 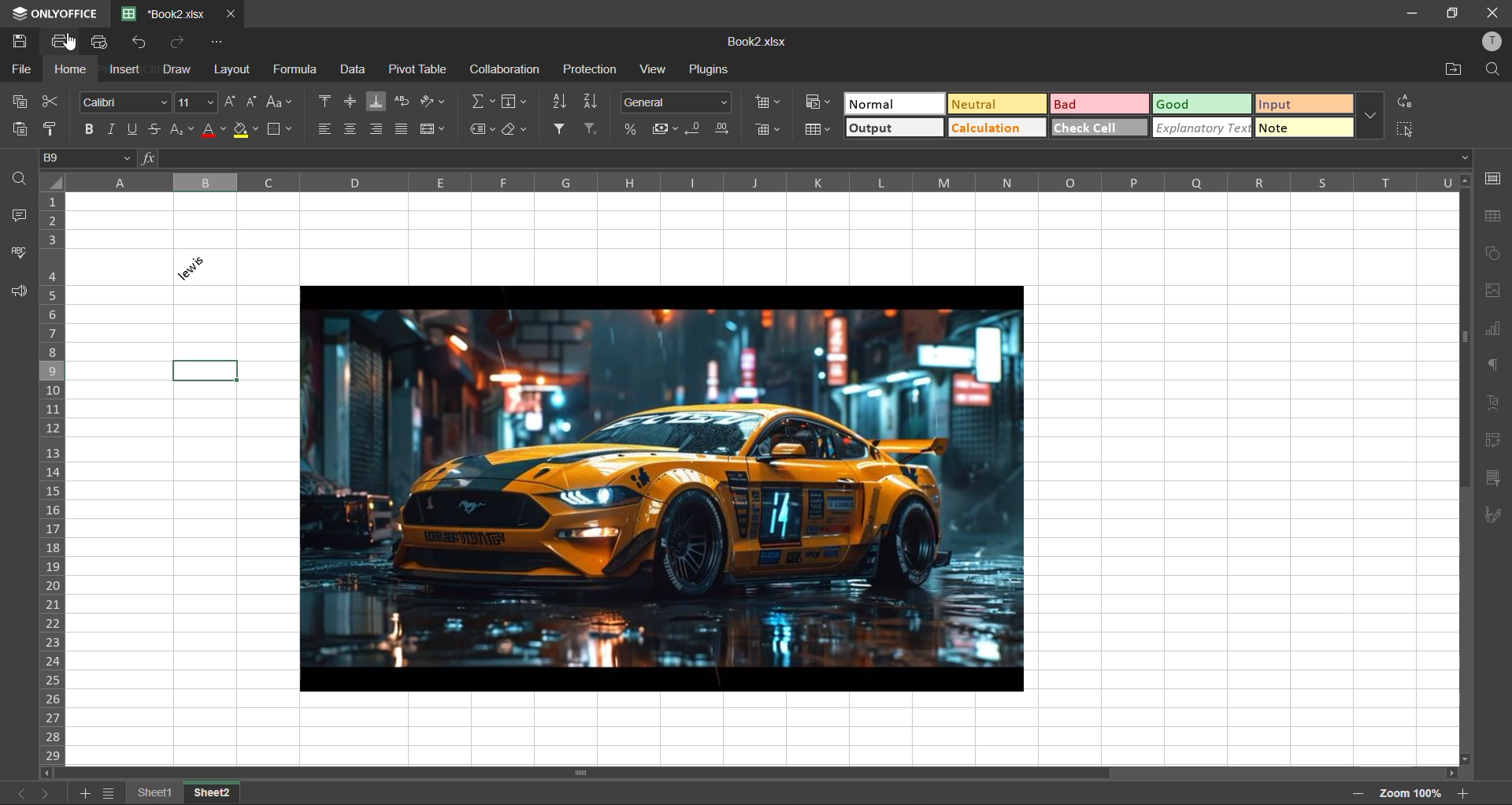 What do you see at coordinates (20, 104) in the screenshot?
I see `copy` at bounding box center [20, 104].